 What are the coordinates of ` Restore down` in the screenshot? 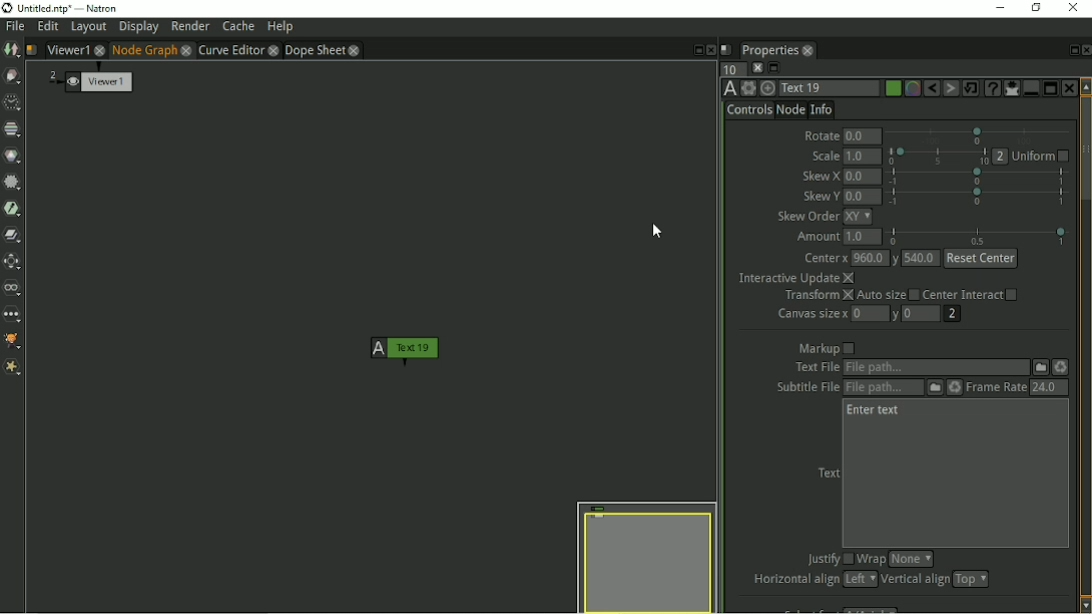 It's located at (1036, 8).